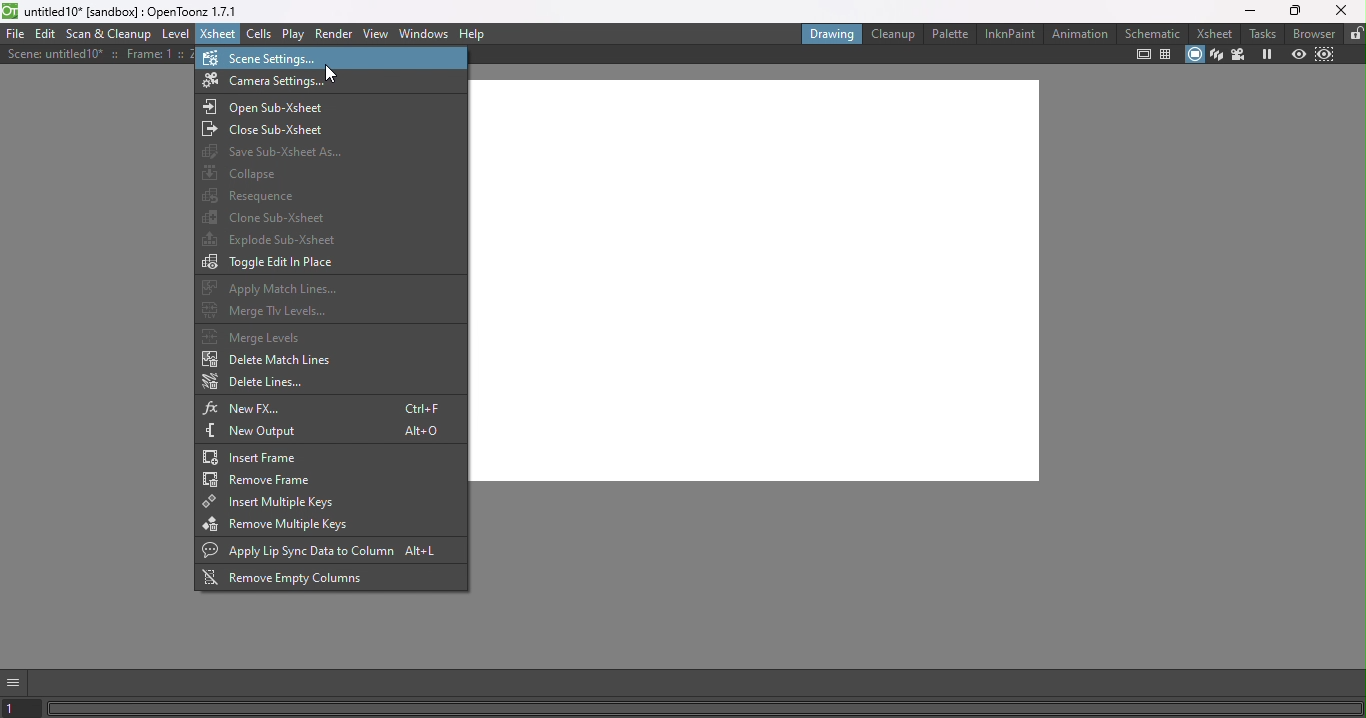  Describe the element at coordinates (261, 479) in the screenshot. I see `Remove from` at that location.